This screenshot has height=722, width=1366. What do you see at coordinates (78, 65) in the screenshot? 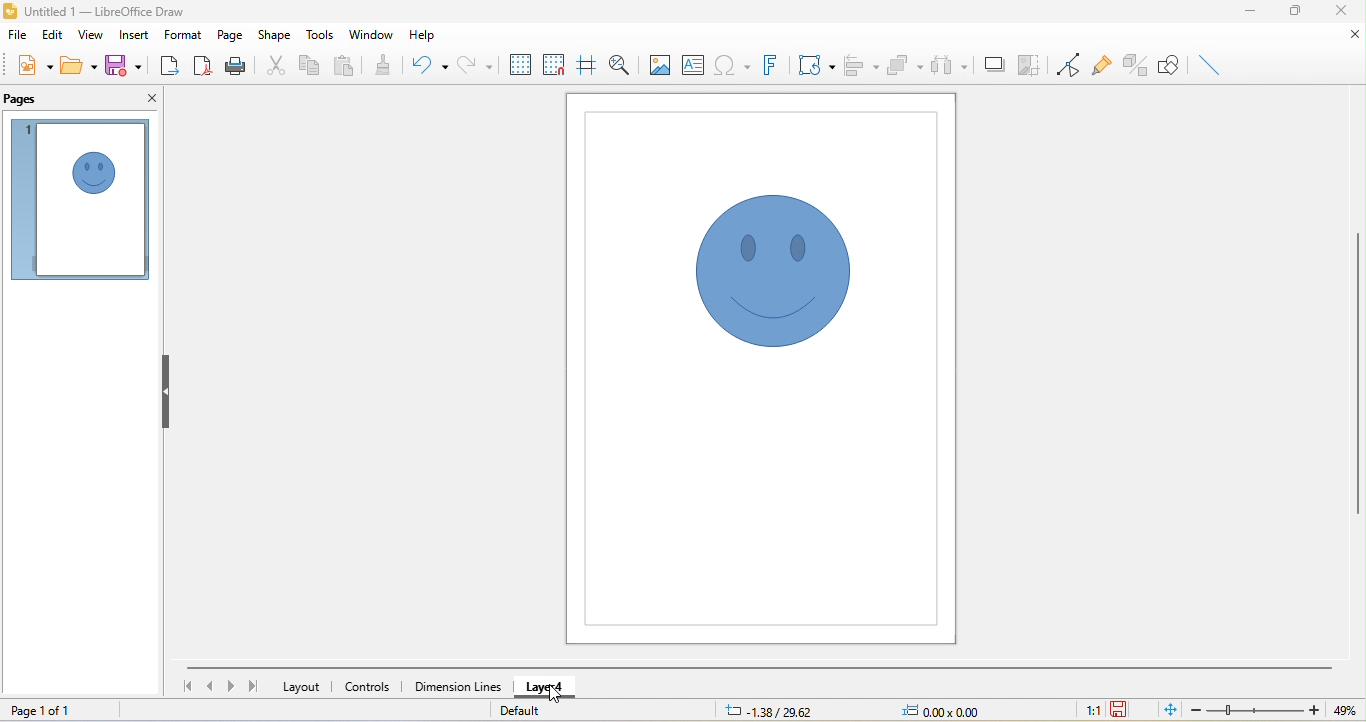
I see `open` at bounding box center [78, 65].